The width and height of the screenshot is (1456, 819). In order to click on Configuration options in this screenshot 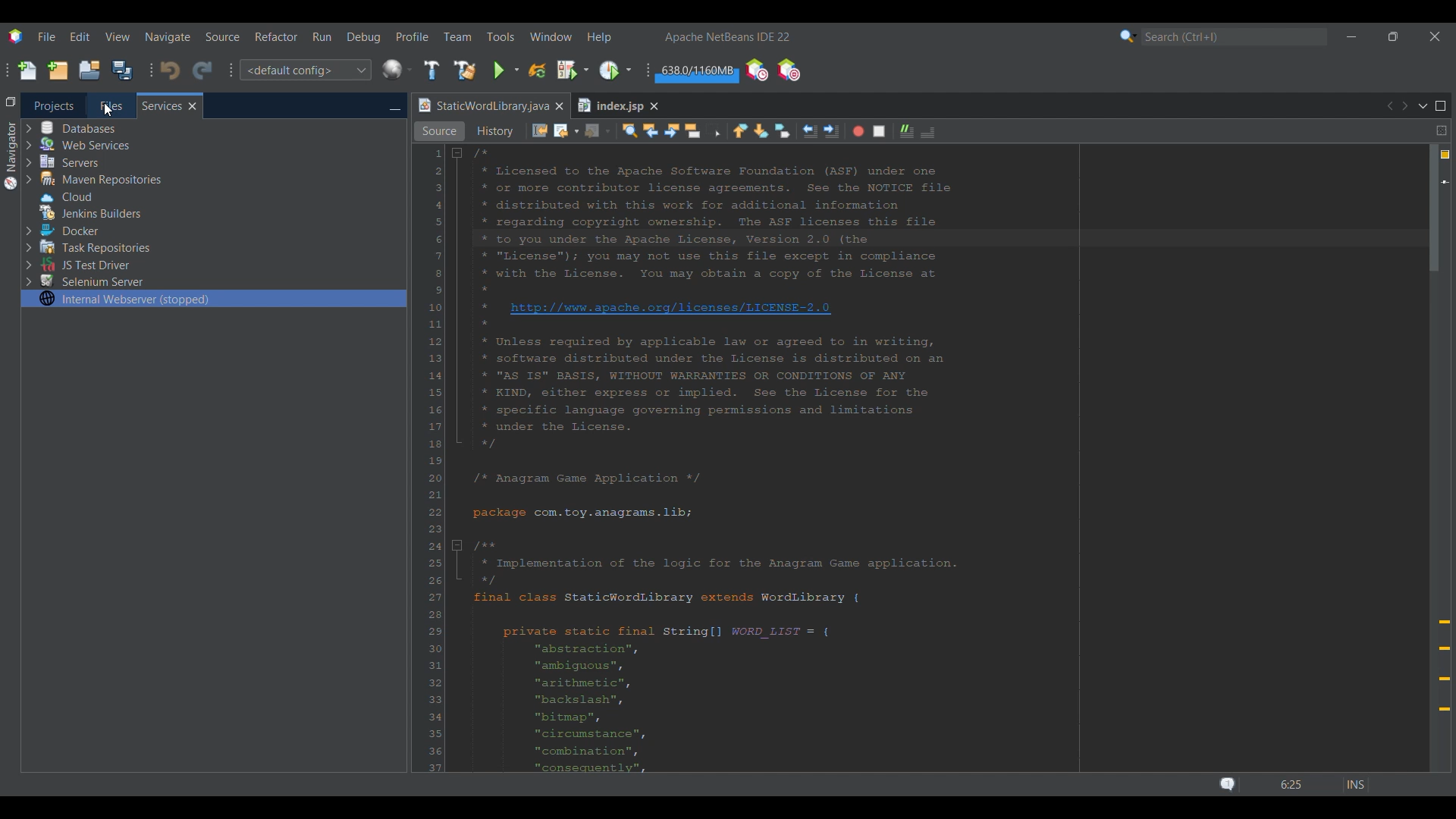, I will do `click(305, 70)`.